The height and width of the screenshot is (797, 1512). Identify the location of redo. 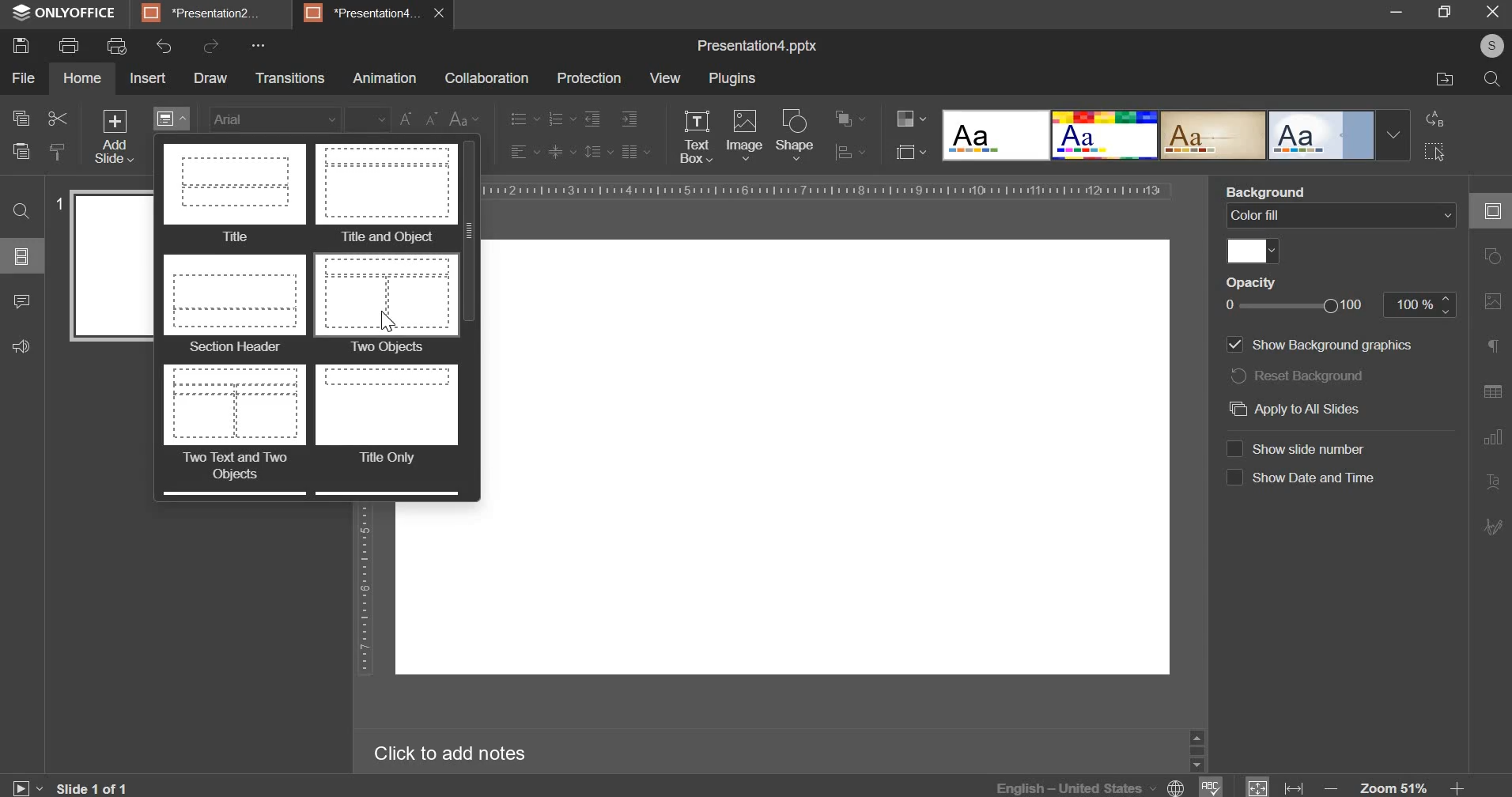
(211, 47).